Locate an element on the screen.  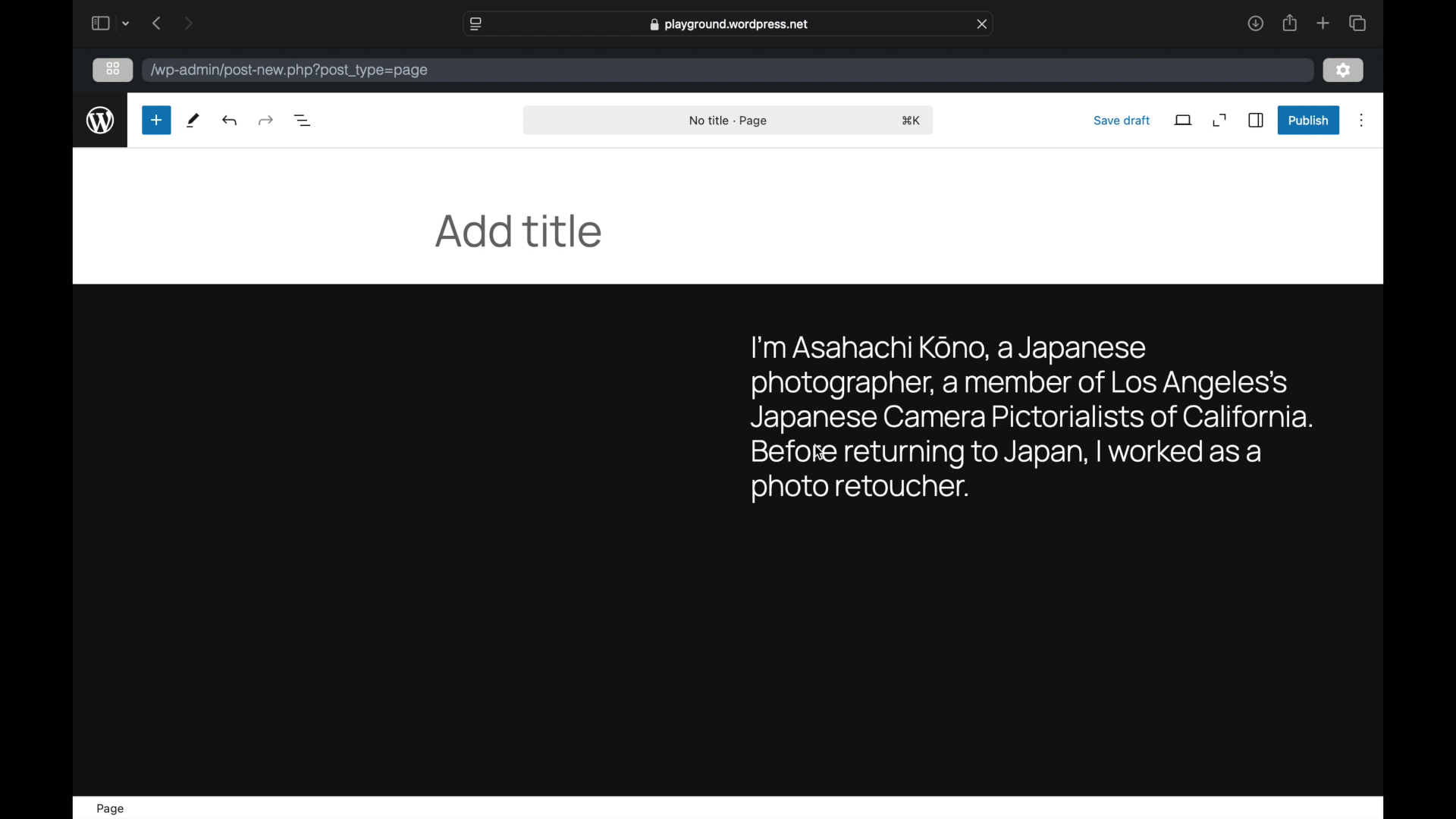
dropdown is located at coordinates (127, 24).